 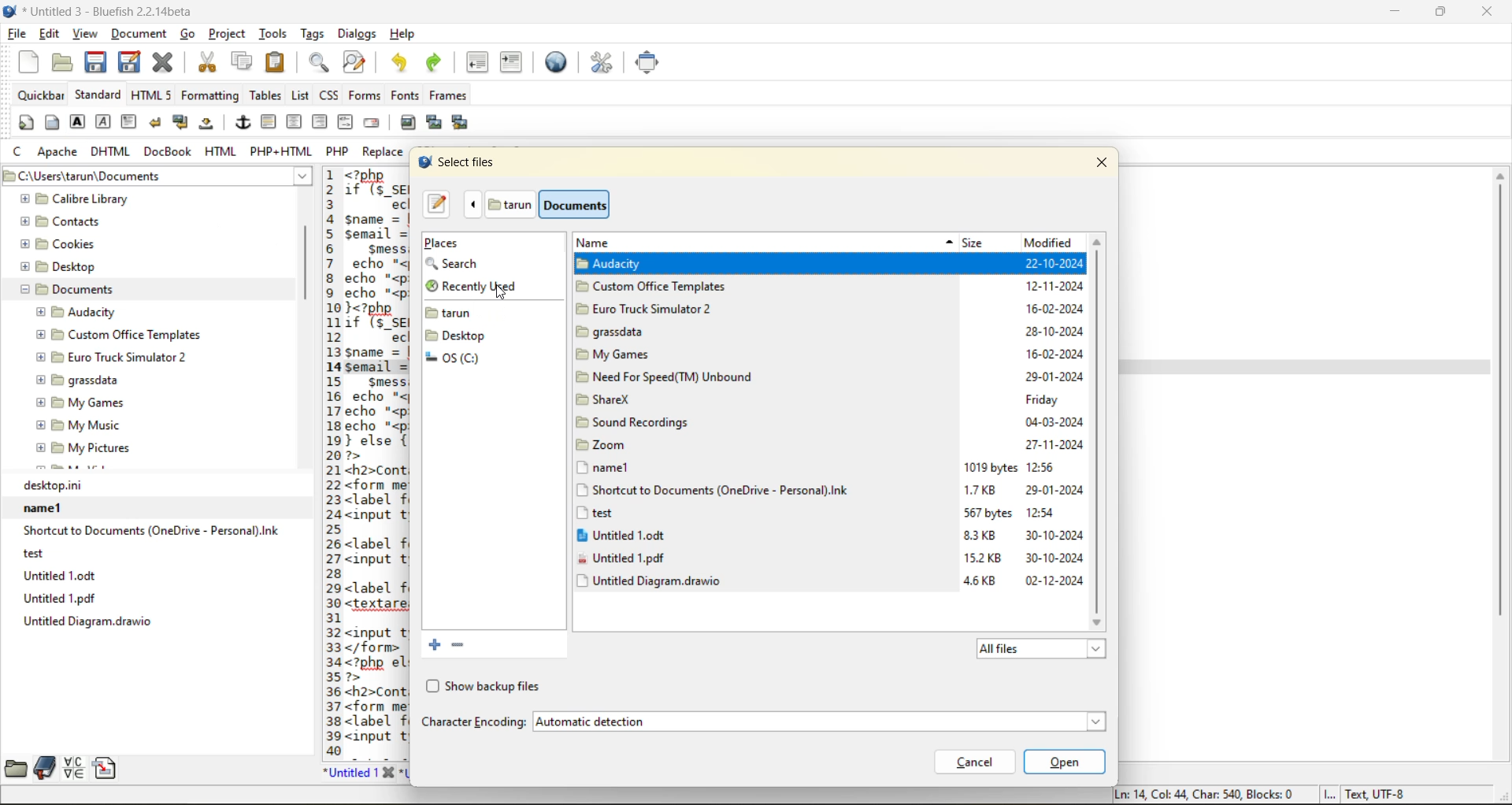 I want to click on search, so click(x=462, y=265).